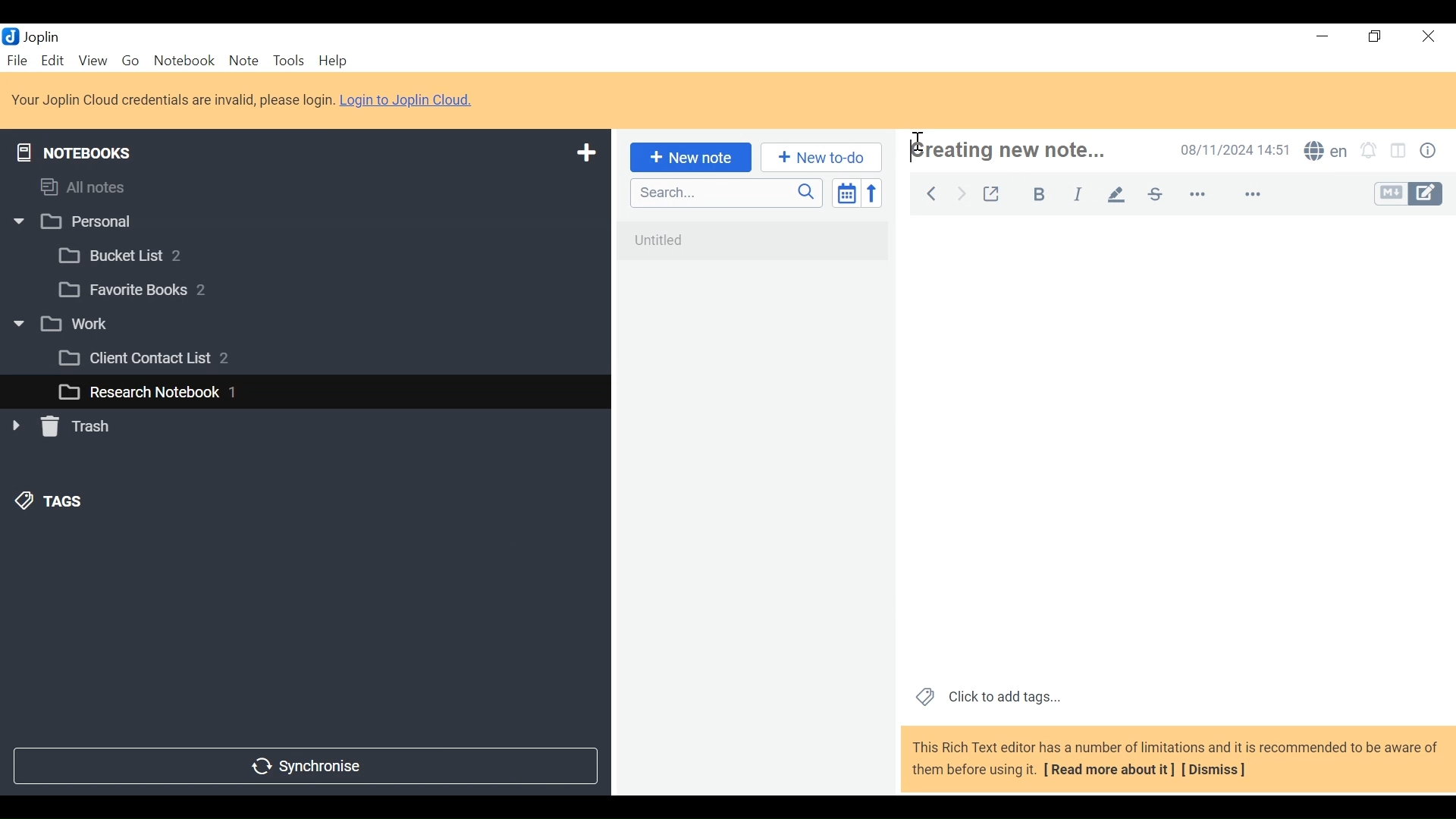 This screenshot has height=819, width=1456. What do you see at coordinates (1231, 149) in the screenshot?
I see `Date and Time` at bounding box center [1231, 149].